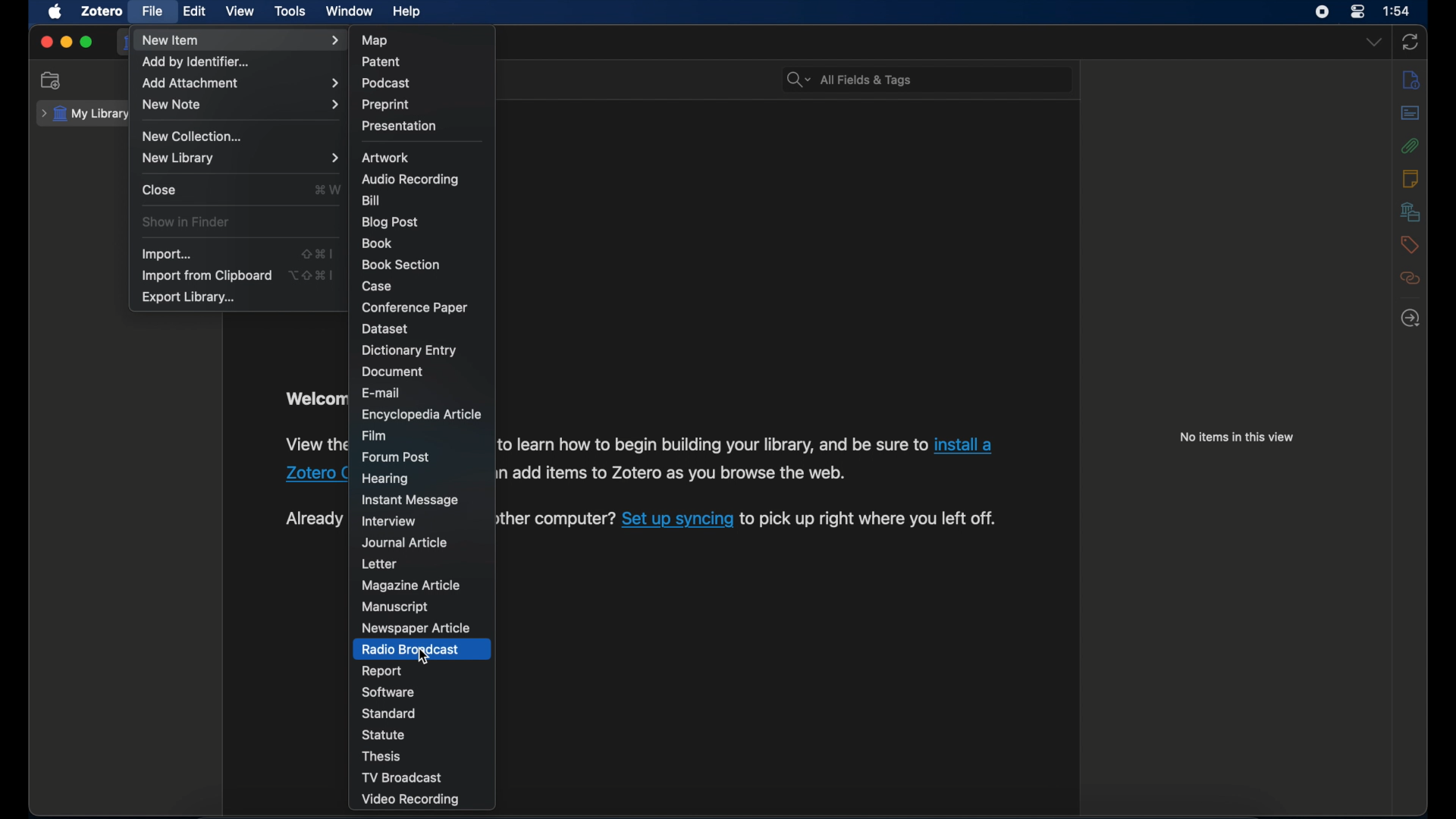 The image size is (1456, 819). What do you see at coordinates (196, 136) in the screenshot?
I see `new collection` at bounding box center [196, 136].